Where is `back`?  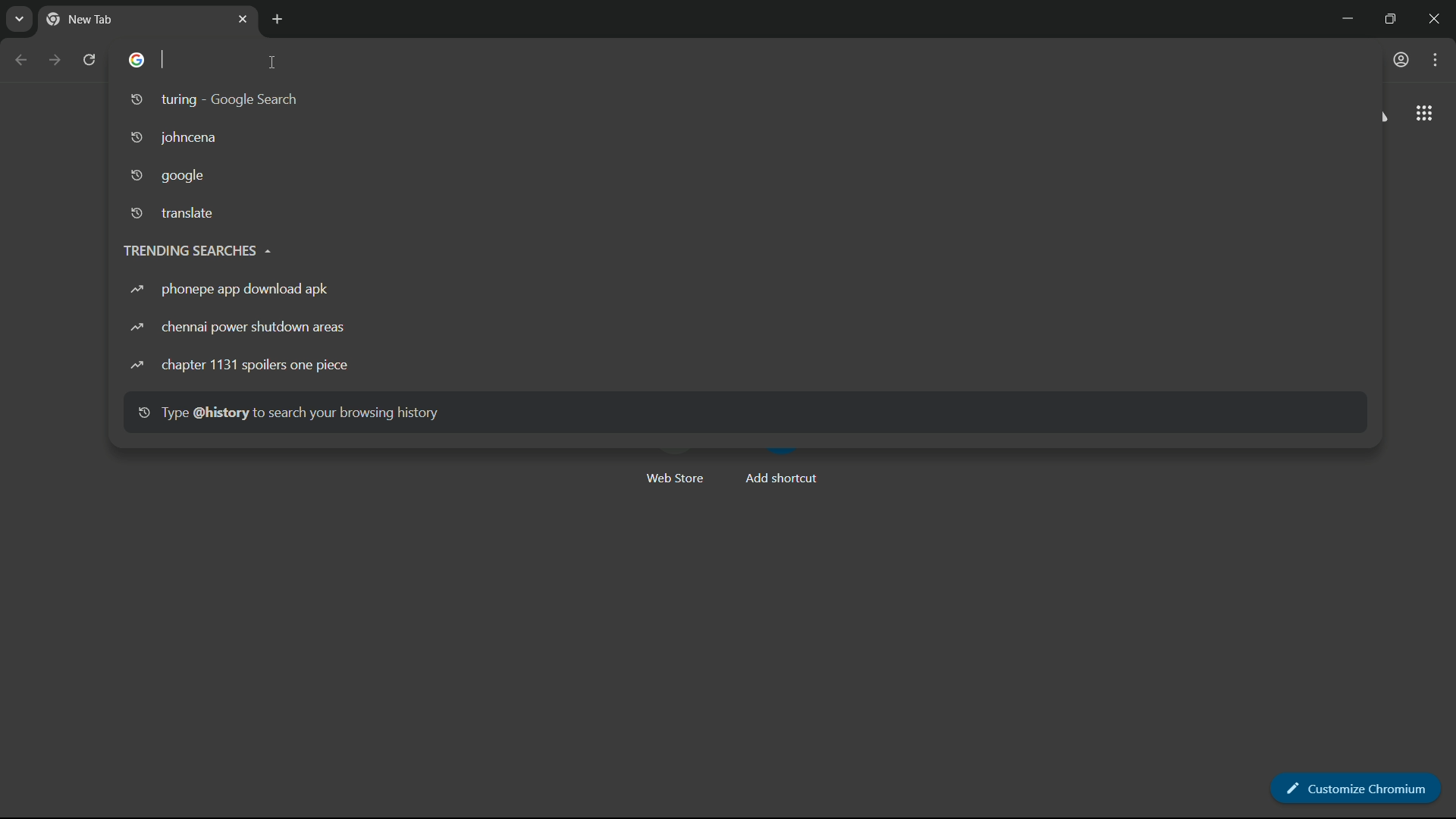 back is located at coordinates (22, 60).